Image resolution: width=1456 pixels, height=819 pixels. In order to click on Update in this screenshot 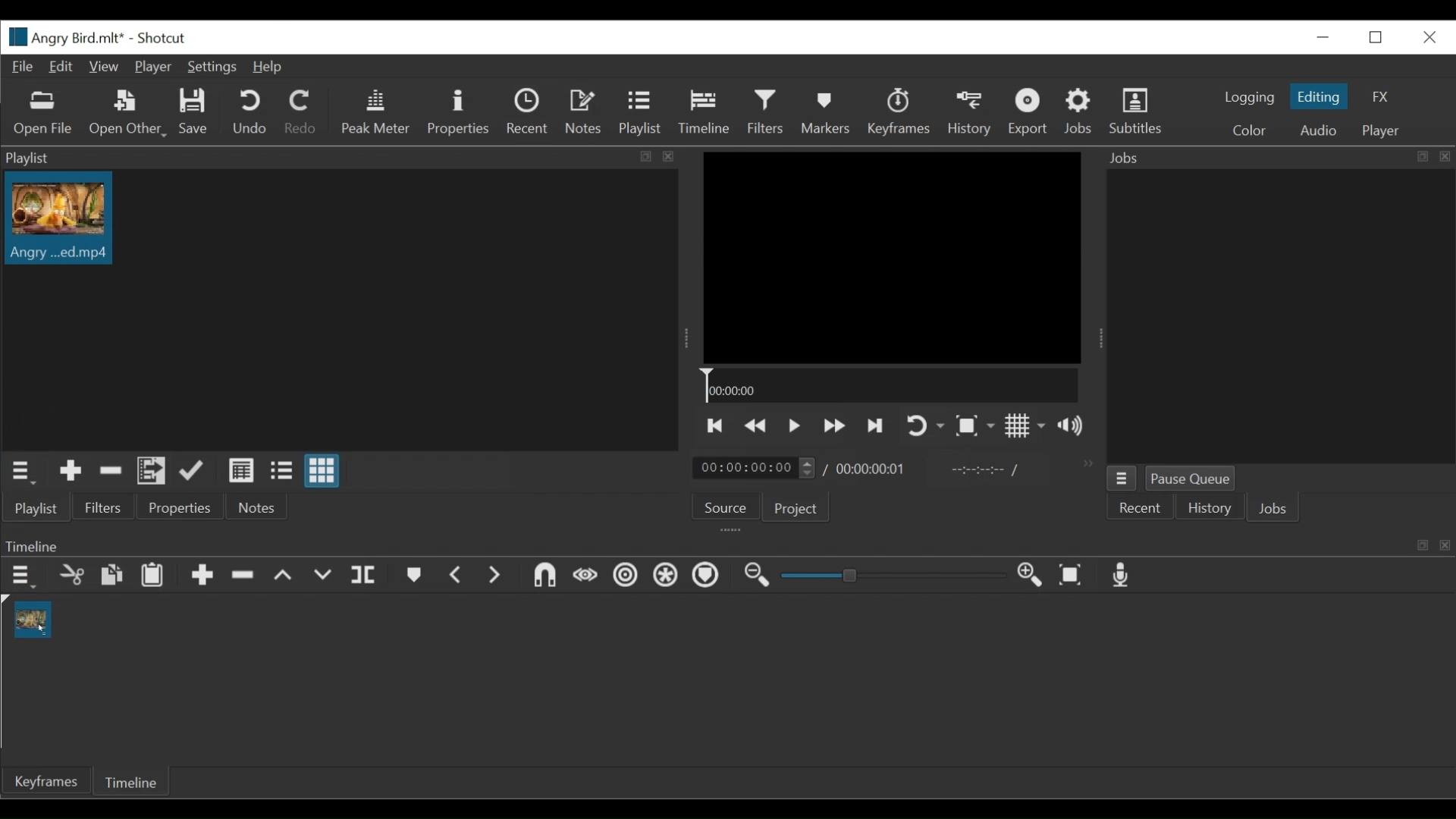, I will do `click(192, 471)`.